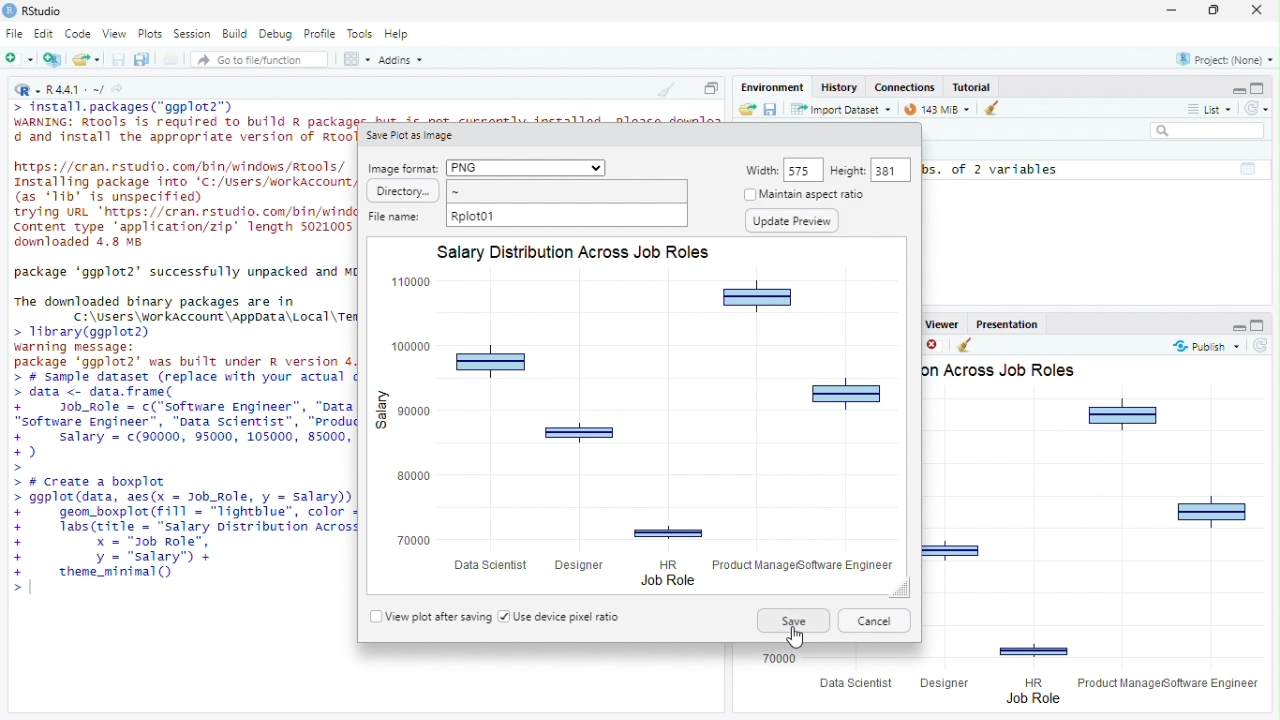  Describe the element at coordinates (430, 618) in the screenshot. I see `View plot after saving` at that location.